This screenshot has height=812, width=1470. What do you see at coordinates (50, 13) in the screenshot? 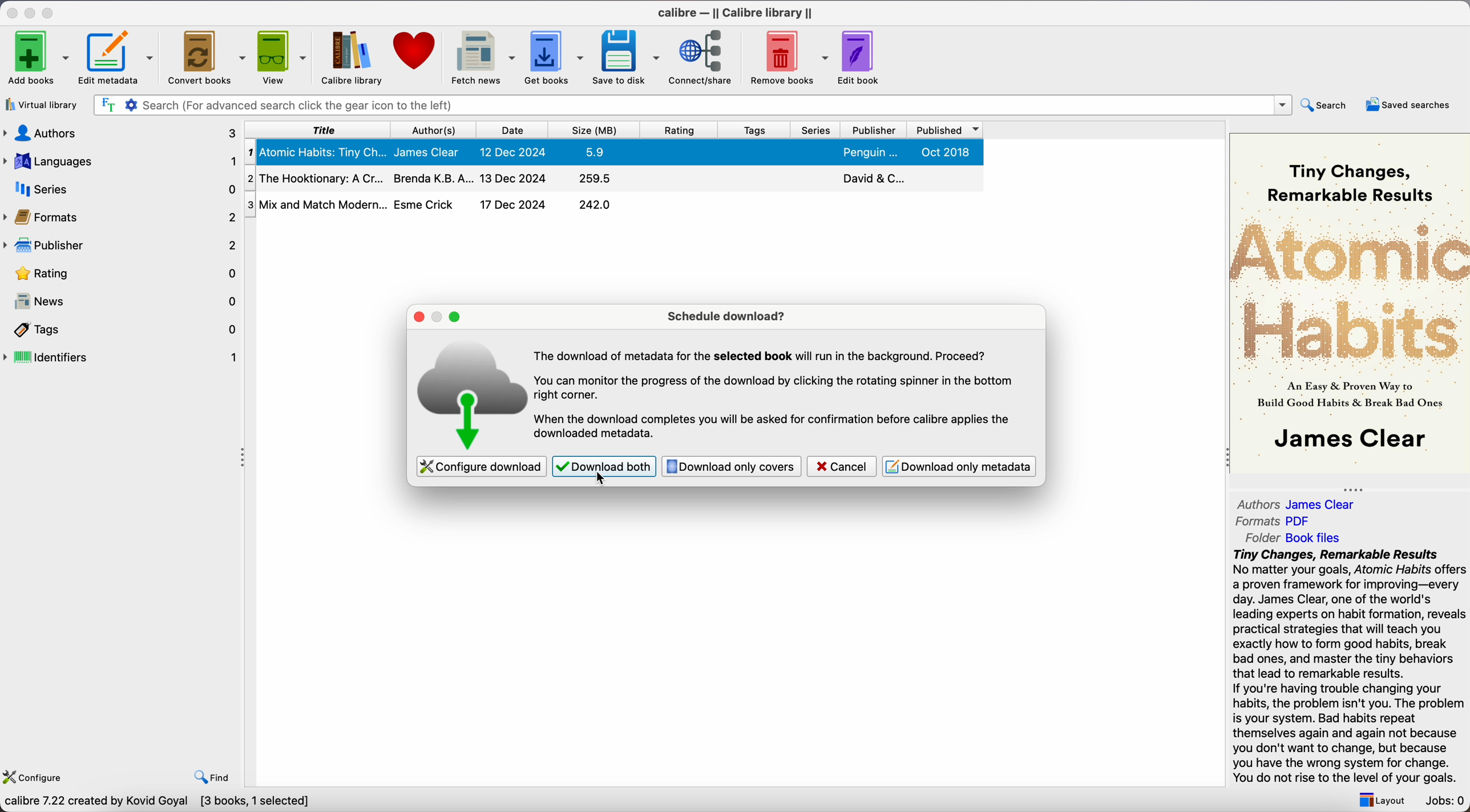
I see `maximize app` at bounding box center [50, 13].